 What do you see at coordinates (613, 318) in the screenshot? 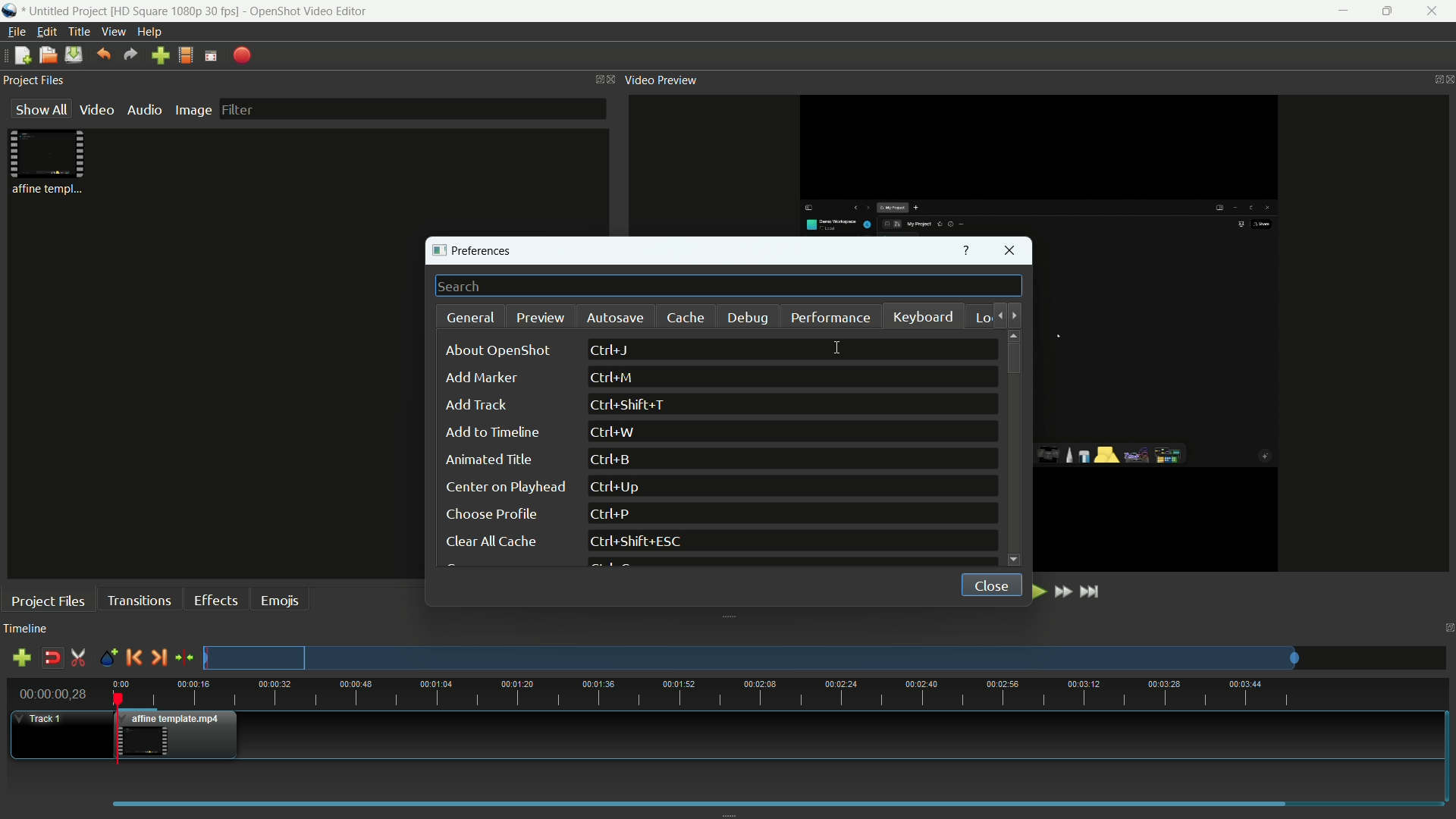
I see `autosave` at bounding box center [613, 318].